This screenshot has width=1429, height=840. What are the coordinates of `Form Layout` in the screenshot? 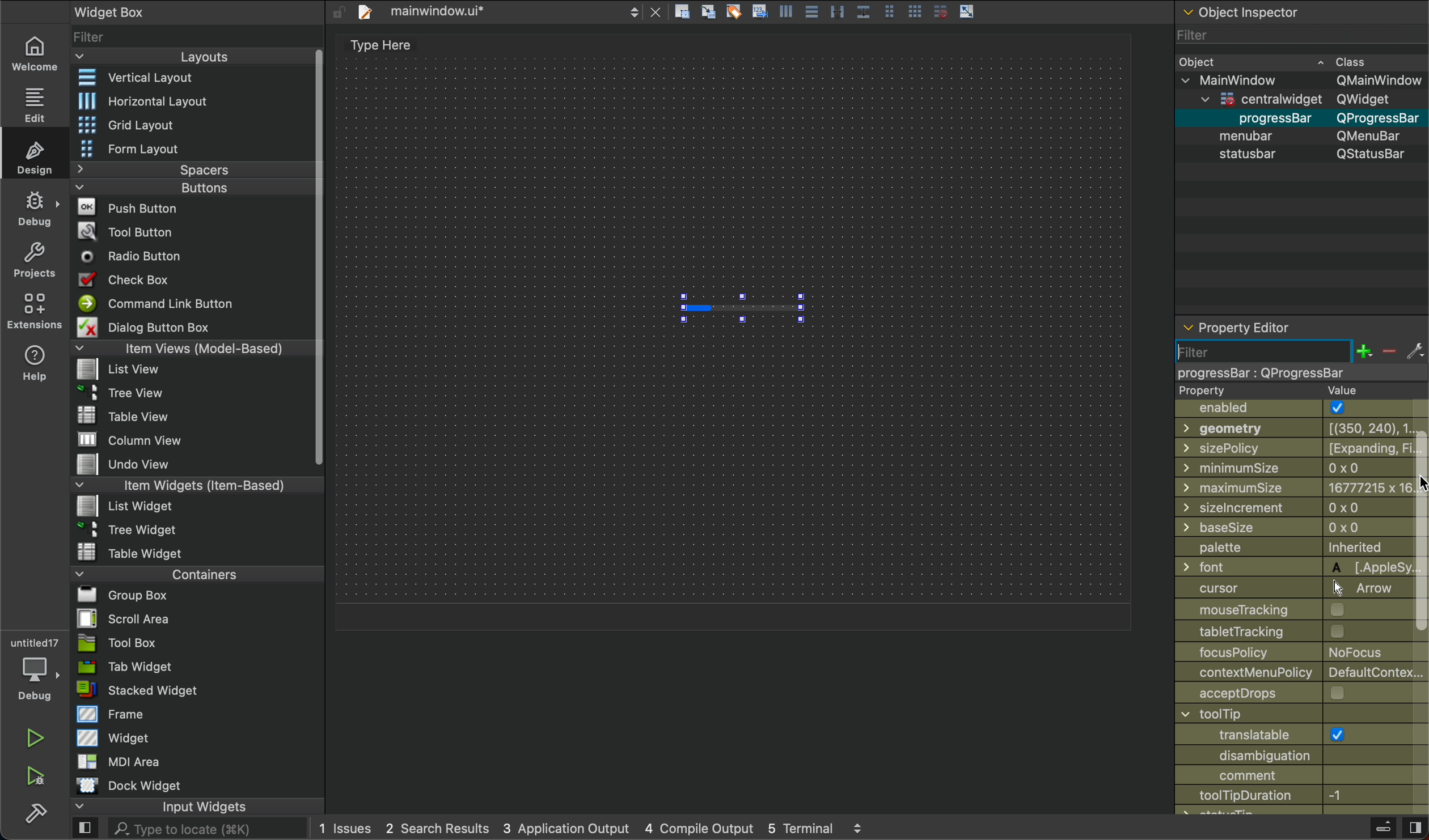 It's located at (143, 149).